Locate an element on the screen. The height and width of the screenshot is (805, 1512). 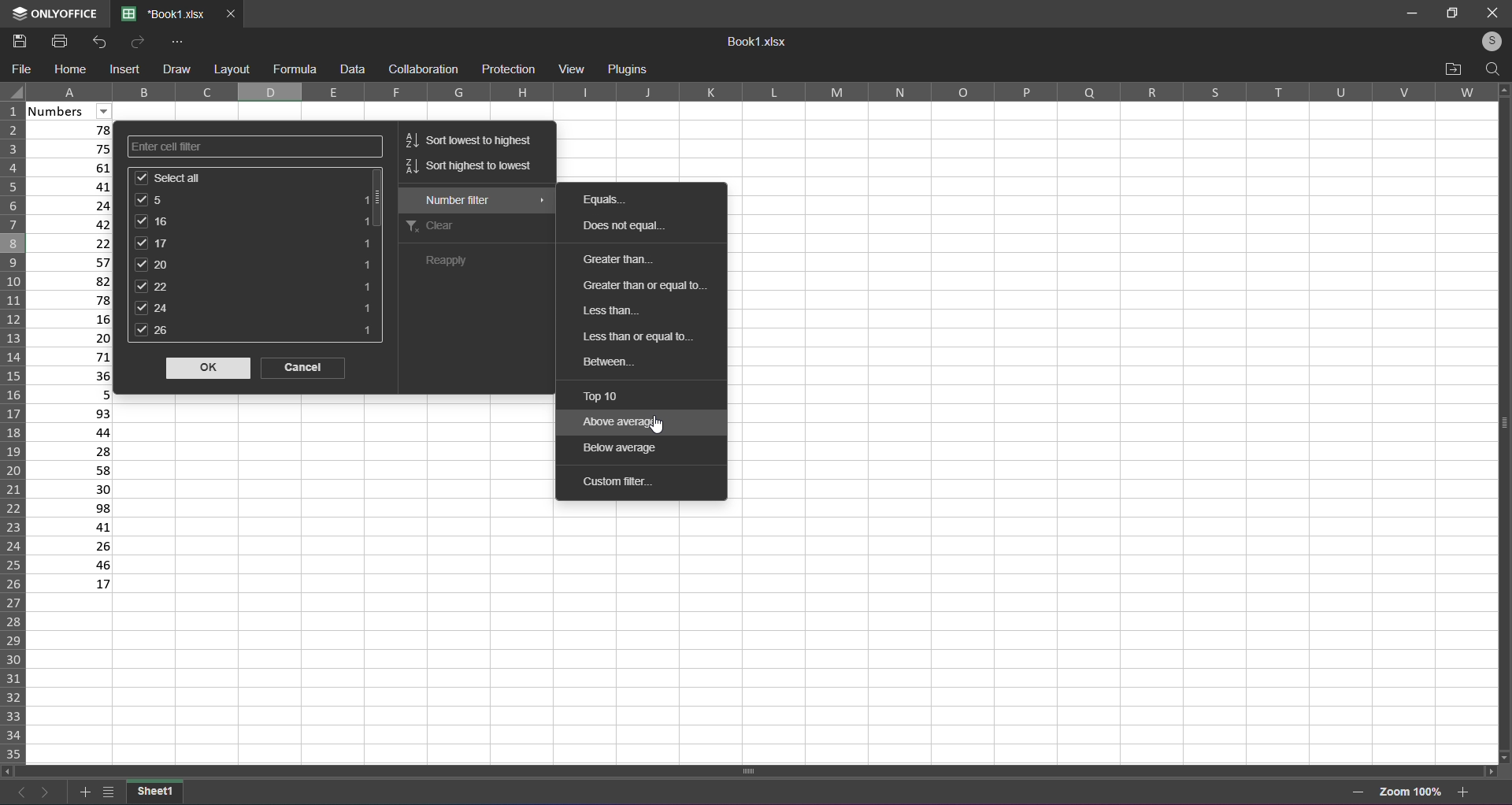
Move left is located at coordinates (8, 770).